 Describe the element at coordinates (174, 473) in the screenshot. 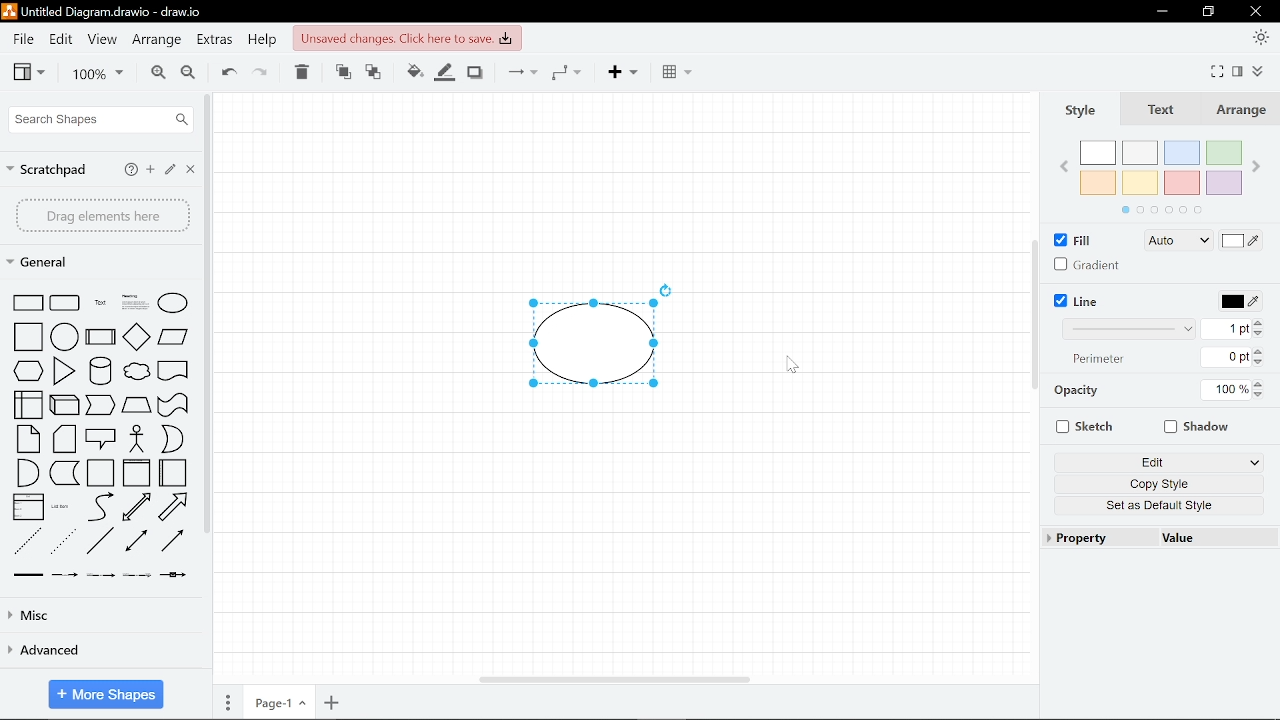

I see `horizontal container` at that location.